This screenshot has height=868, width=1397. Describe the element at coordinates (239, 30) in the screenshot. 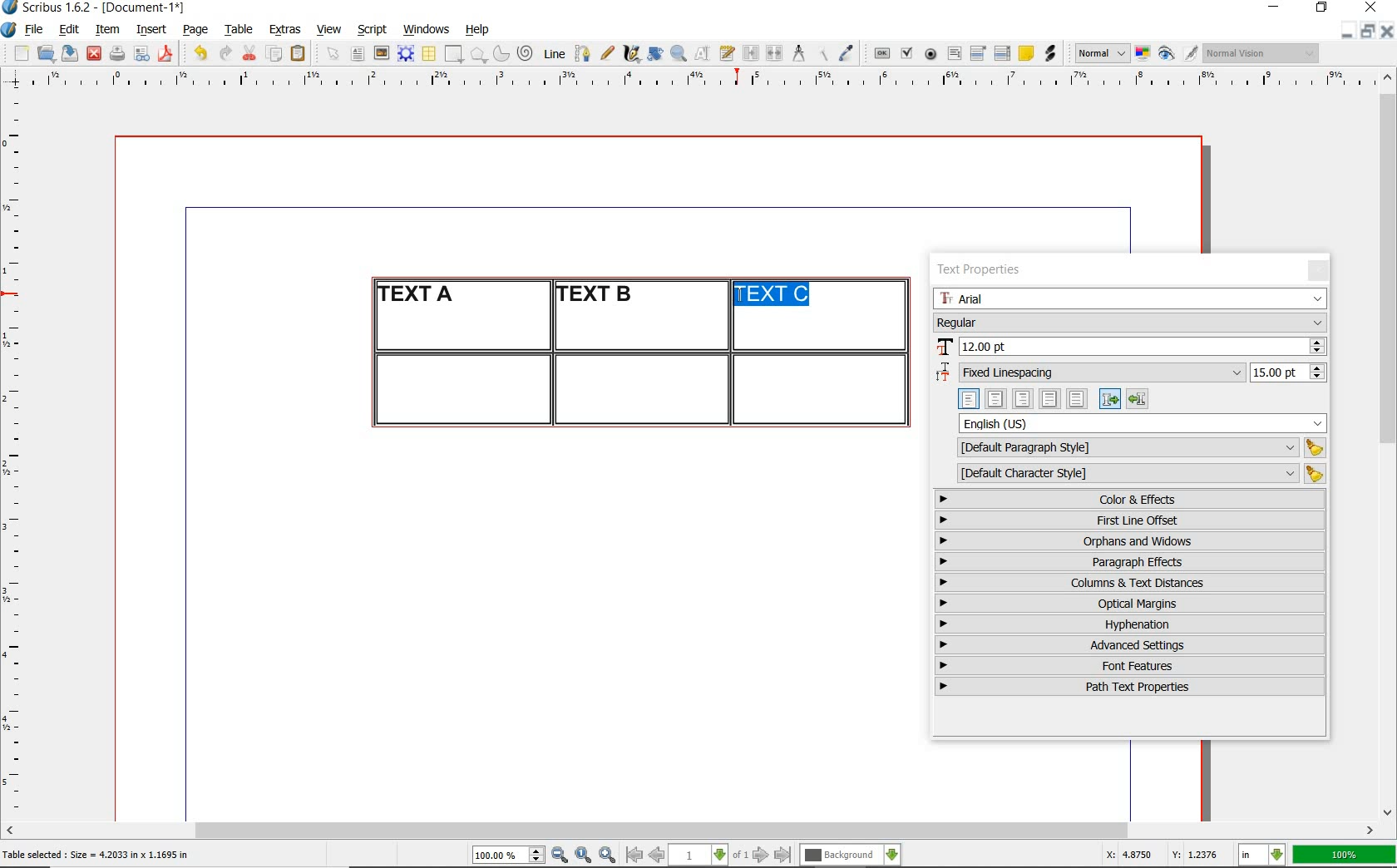

I see `table` at that location.